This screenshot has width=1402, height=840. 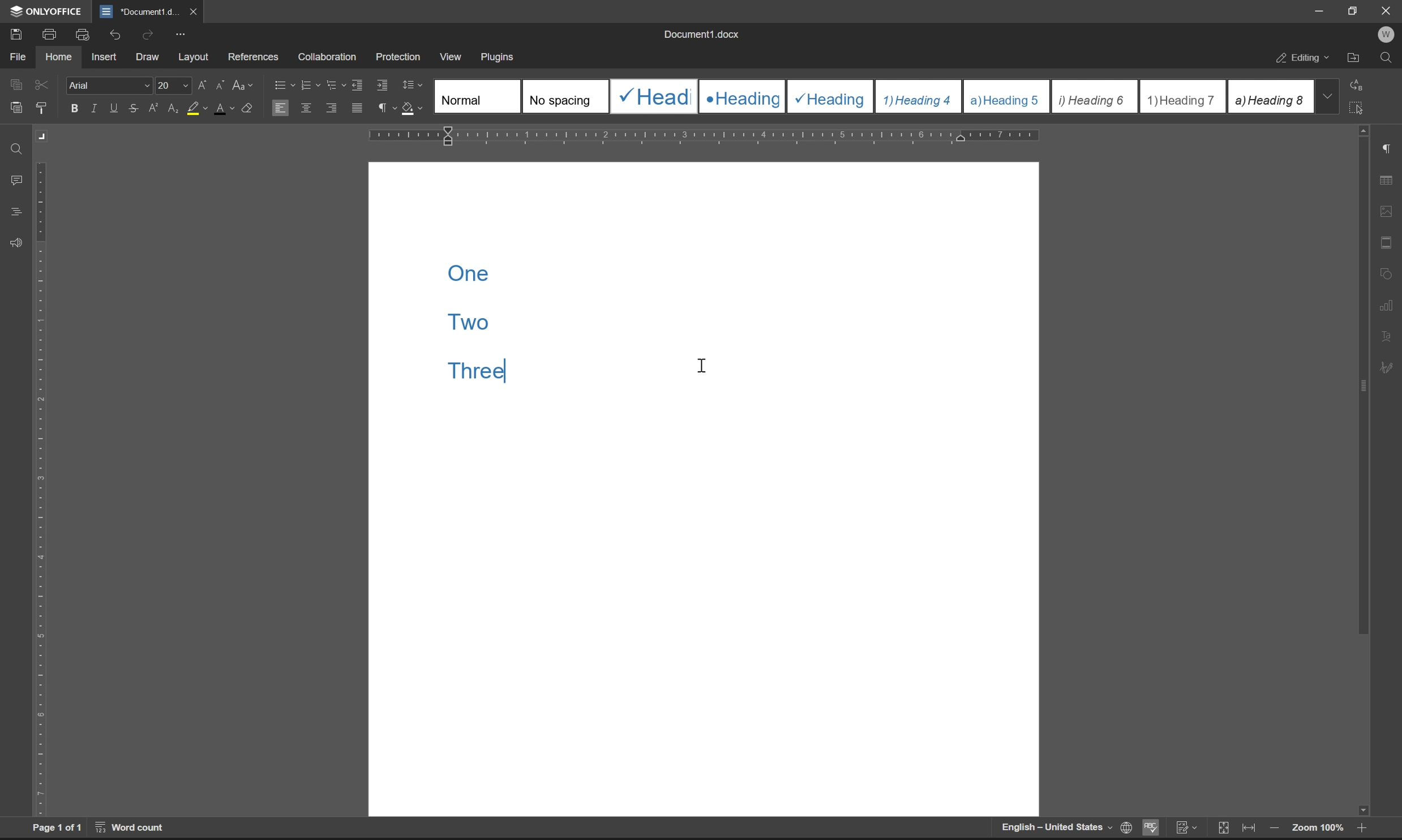 What do you see at coordinates (1055, 829) in the screenshot?
I see `English-United States` at bounding box center [1055, 829].